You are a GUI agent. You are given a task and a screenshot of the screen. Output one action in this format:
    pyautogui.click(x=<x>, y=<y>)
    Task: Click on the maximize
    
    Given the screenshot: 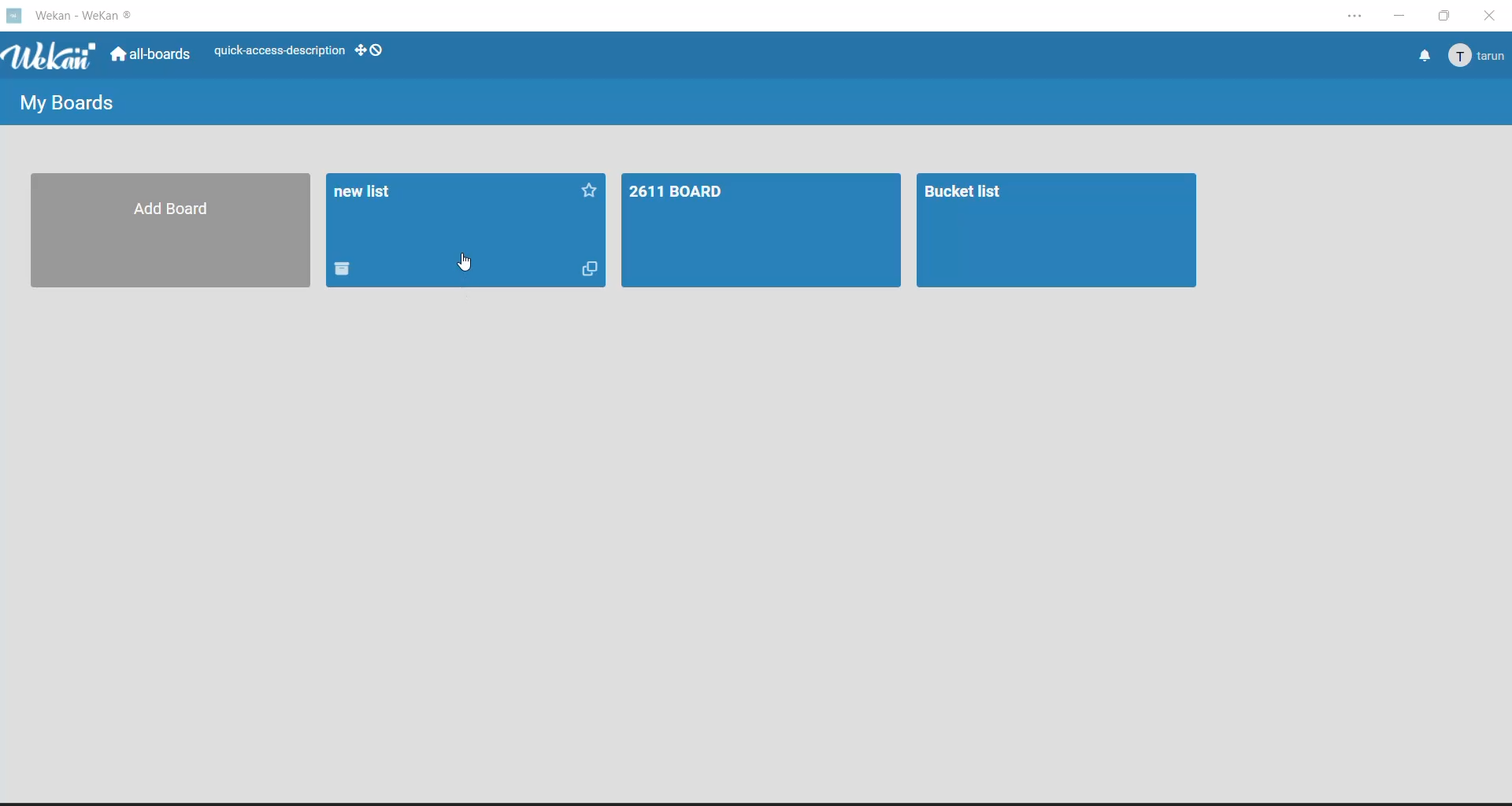 What is the action you would take?
    pyautogui.click(x=1448, y=19)
    